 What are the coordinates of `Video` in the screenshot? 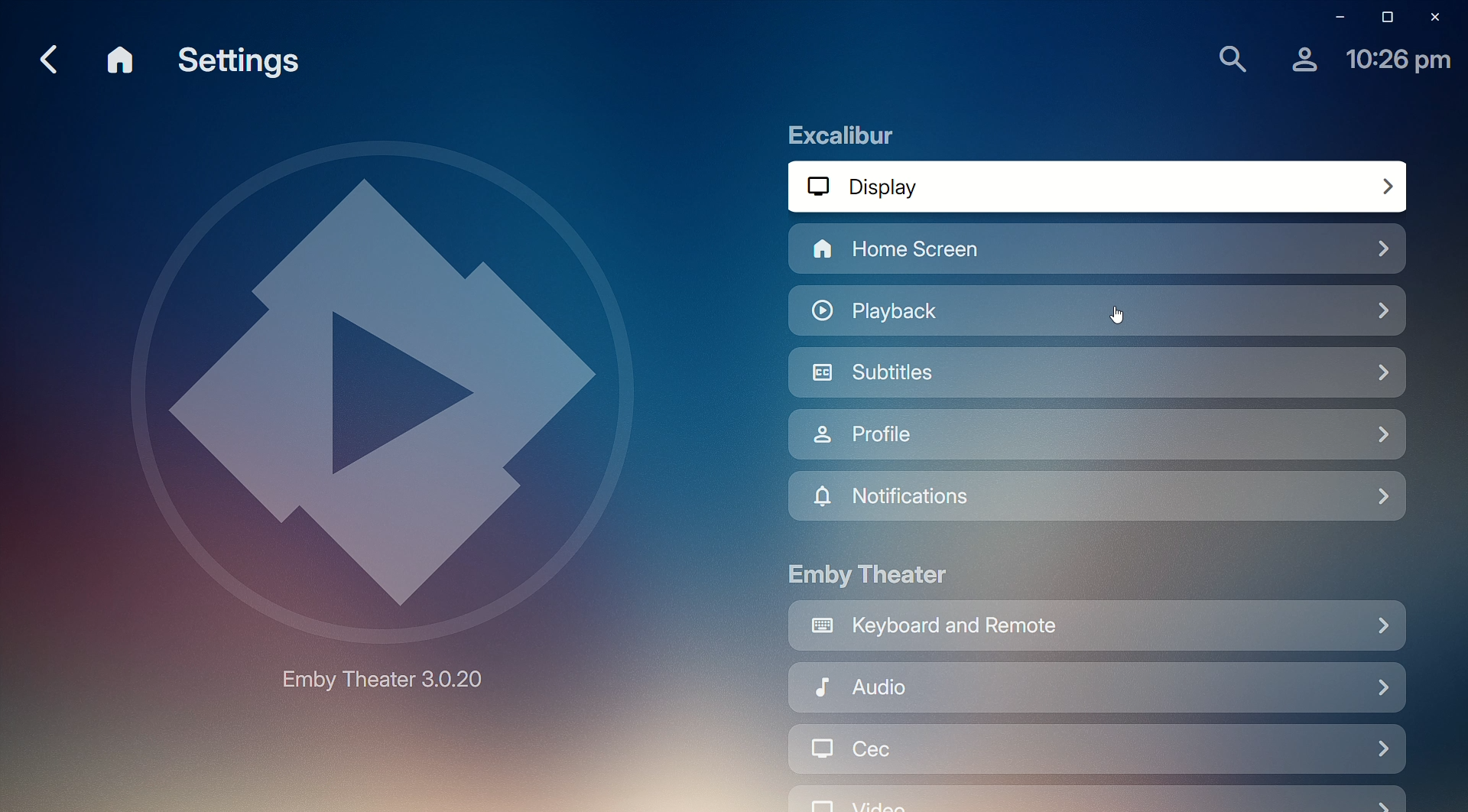 It's located at (1095, 799).